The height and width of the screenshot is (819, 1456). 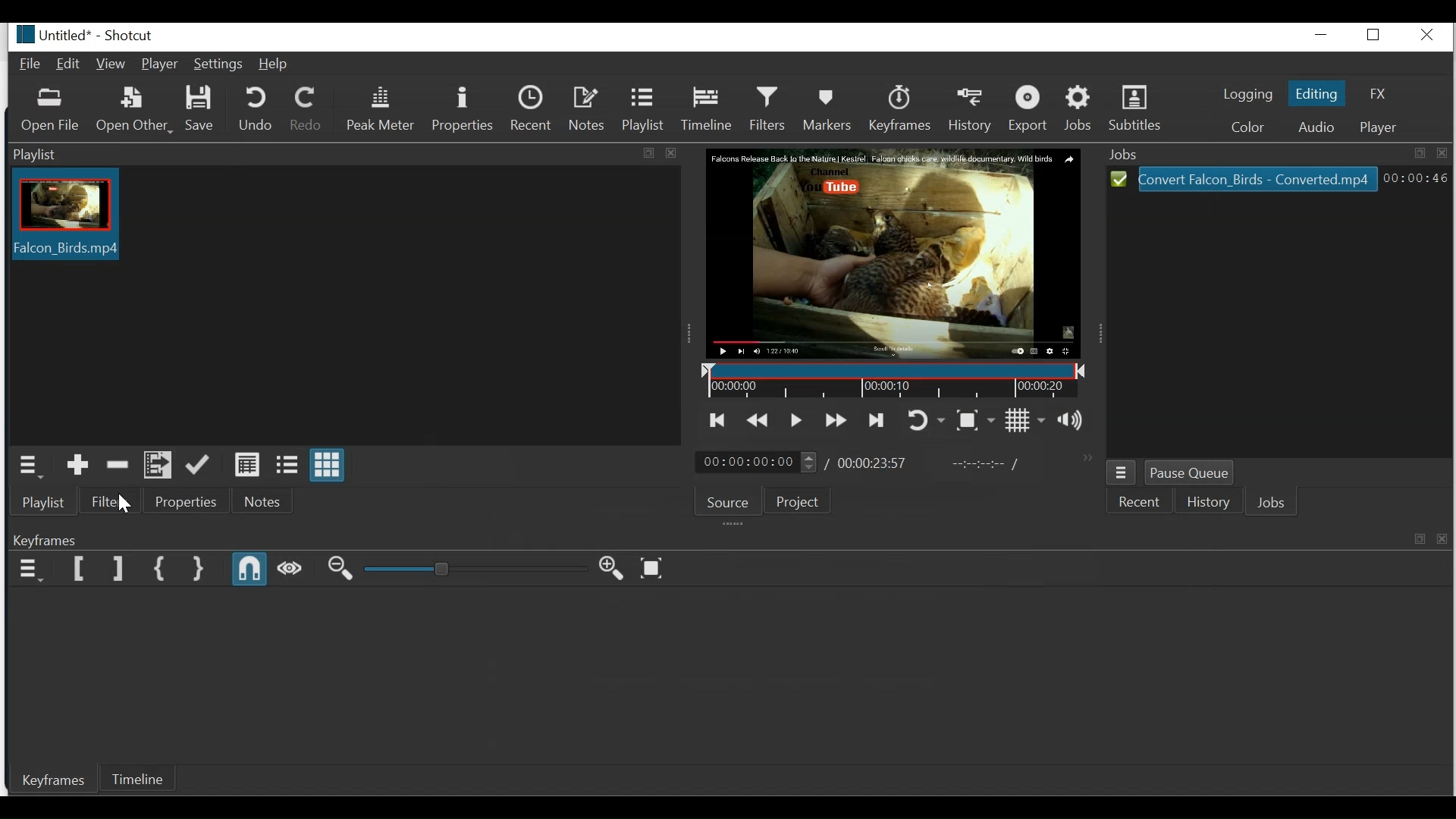 I want to click on Adjust Zoom Keyframe, so click(x=475, y=569).